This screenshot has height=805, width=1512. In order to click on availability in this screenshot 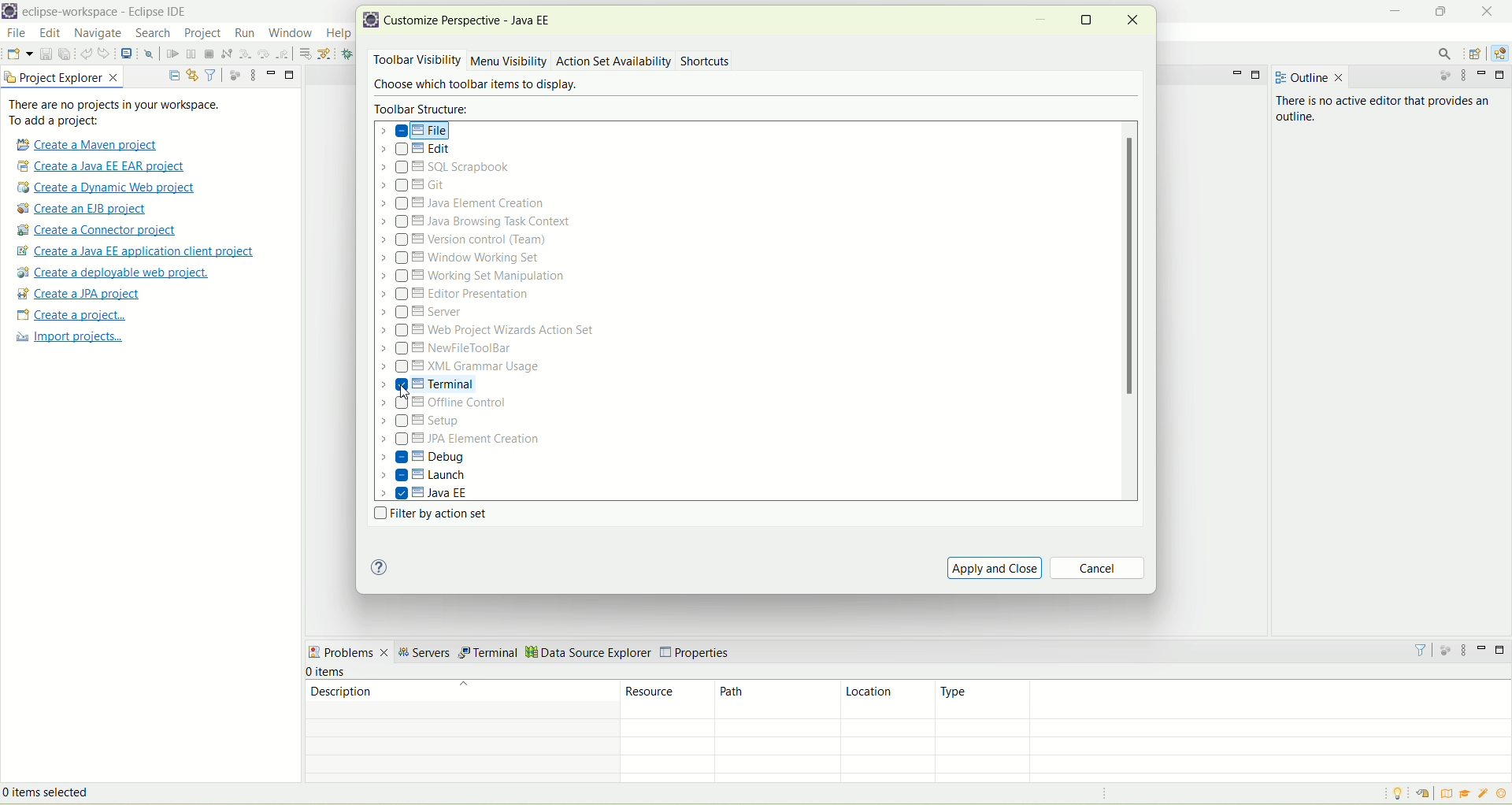, I will do `click(647, 60)`.